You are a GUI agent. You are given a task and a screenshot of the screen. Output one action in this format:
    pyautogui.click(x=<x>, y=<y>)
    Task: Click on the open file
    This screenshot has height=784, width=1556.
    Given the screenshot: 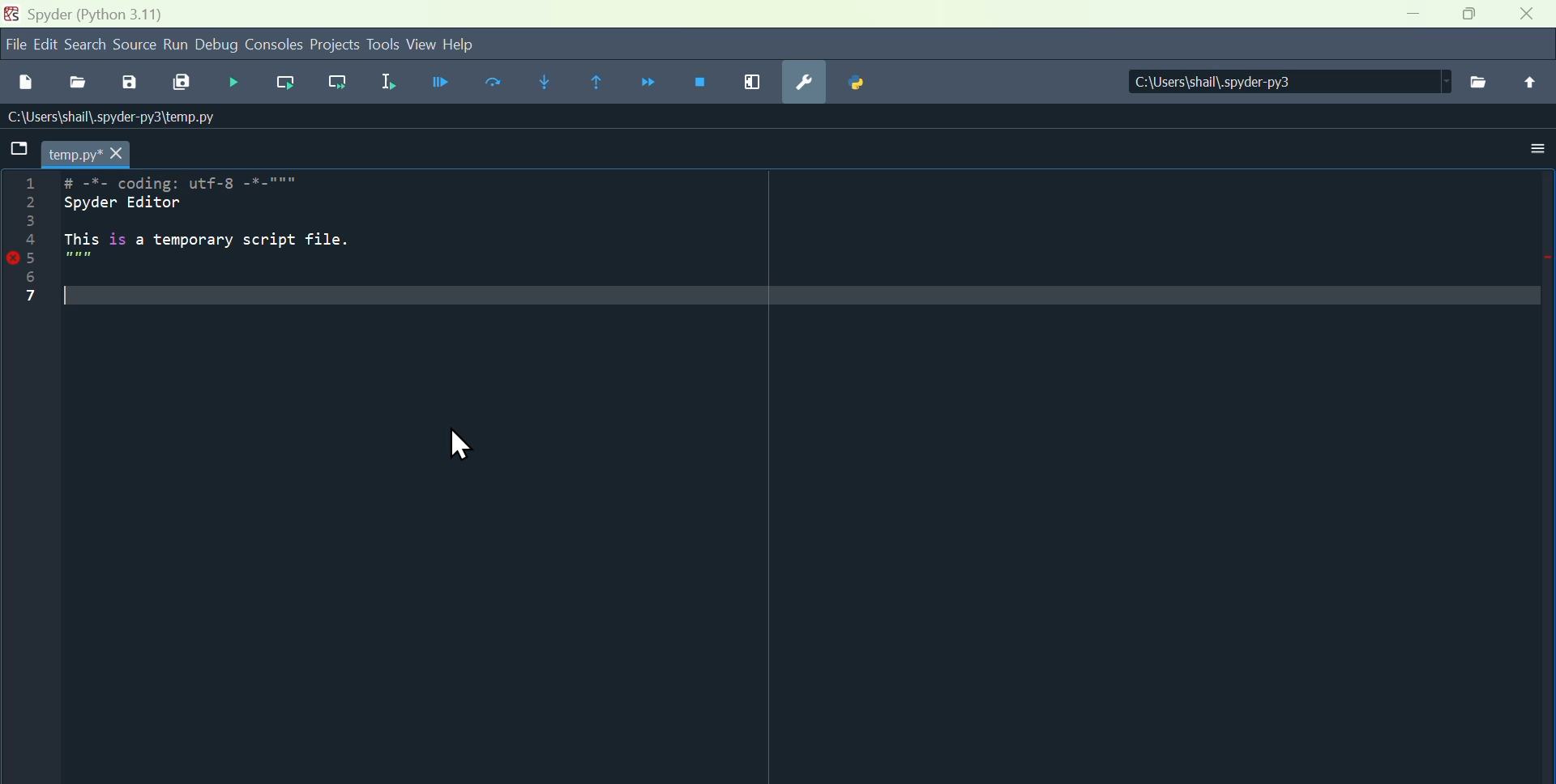 What is the action you would take?
    pyautogui.click(x=77, y=84)
    